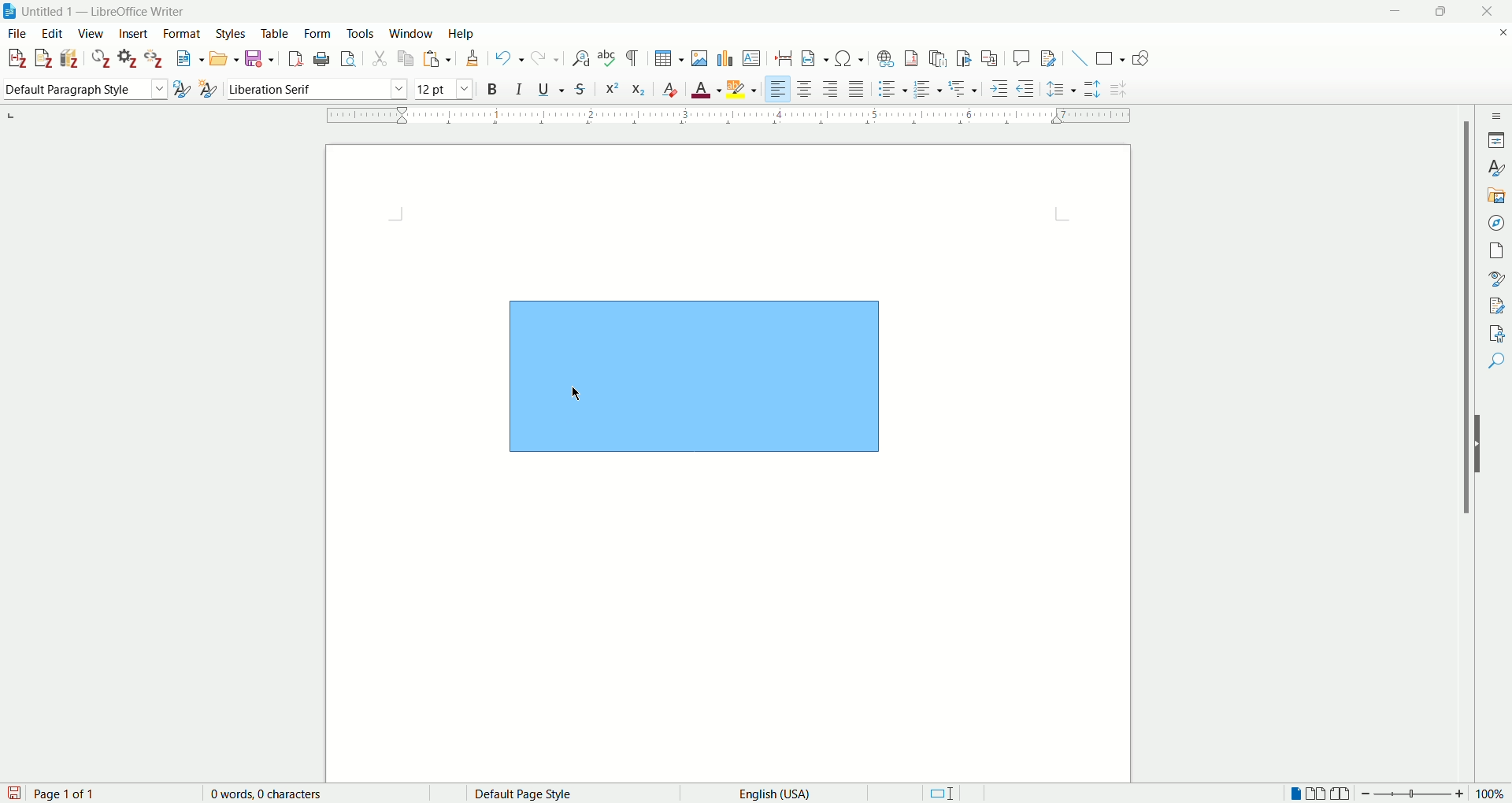 The width and height of the screenshot is (1512, 803). Describe the element at coordinates (693, 375) in the screenshot. I see `Shape` at that location.